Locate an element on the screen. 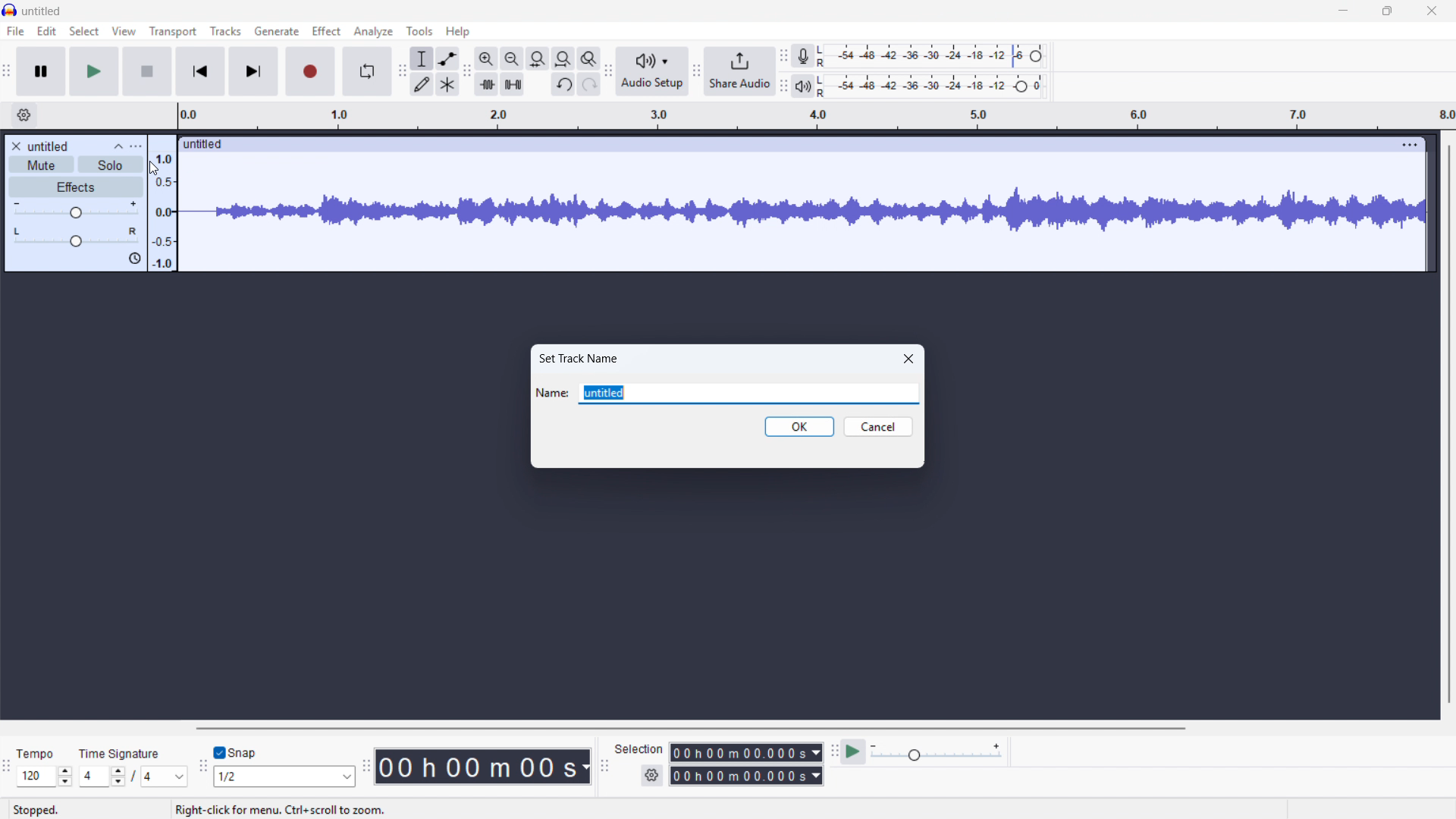 The height and width of the screenshot is (819, 1456). Recording metre toolbar  is located at coordinates (784, 56).